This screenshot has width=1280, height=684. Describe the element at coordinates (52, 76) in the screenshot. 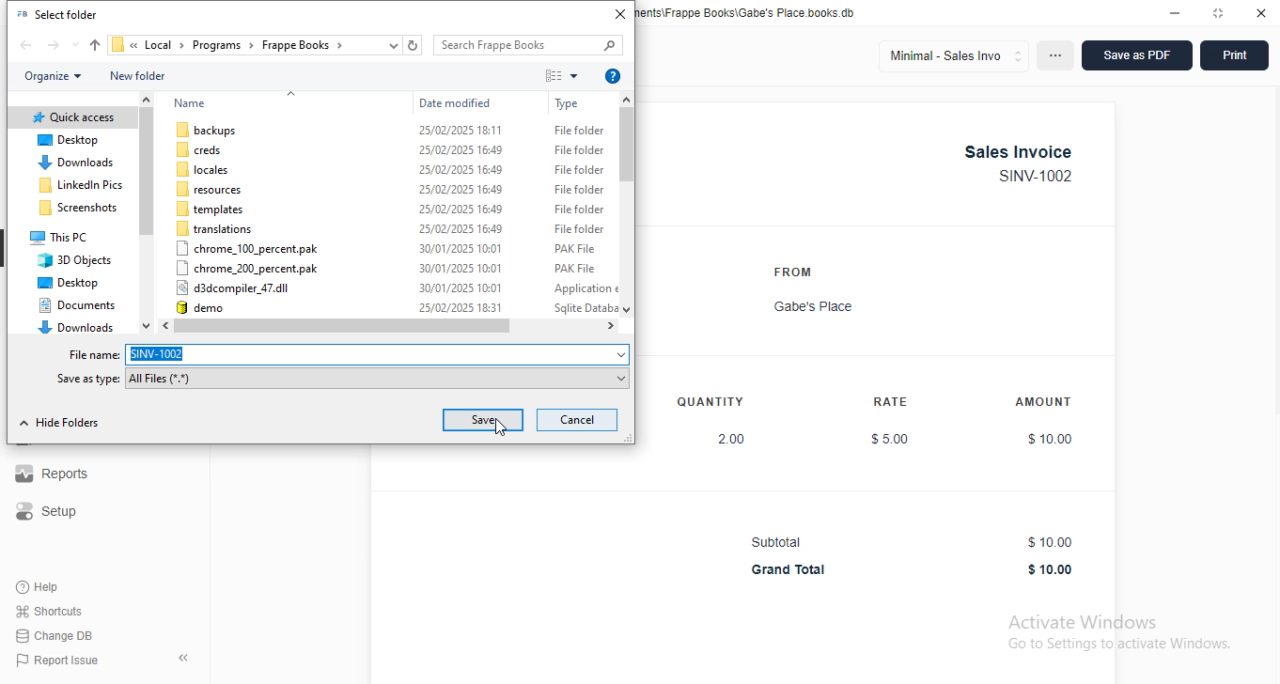

I see `organize` at that location.